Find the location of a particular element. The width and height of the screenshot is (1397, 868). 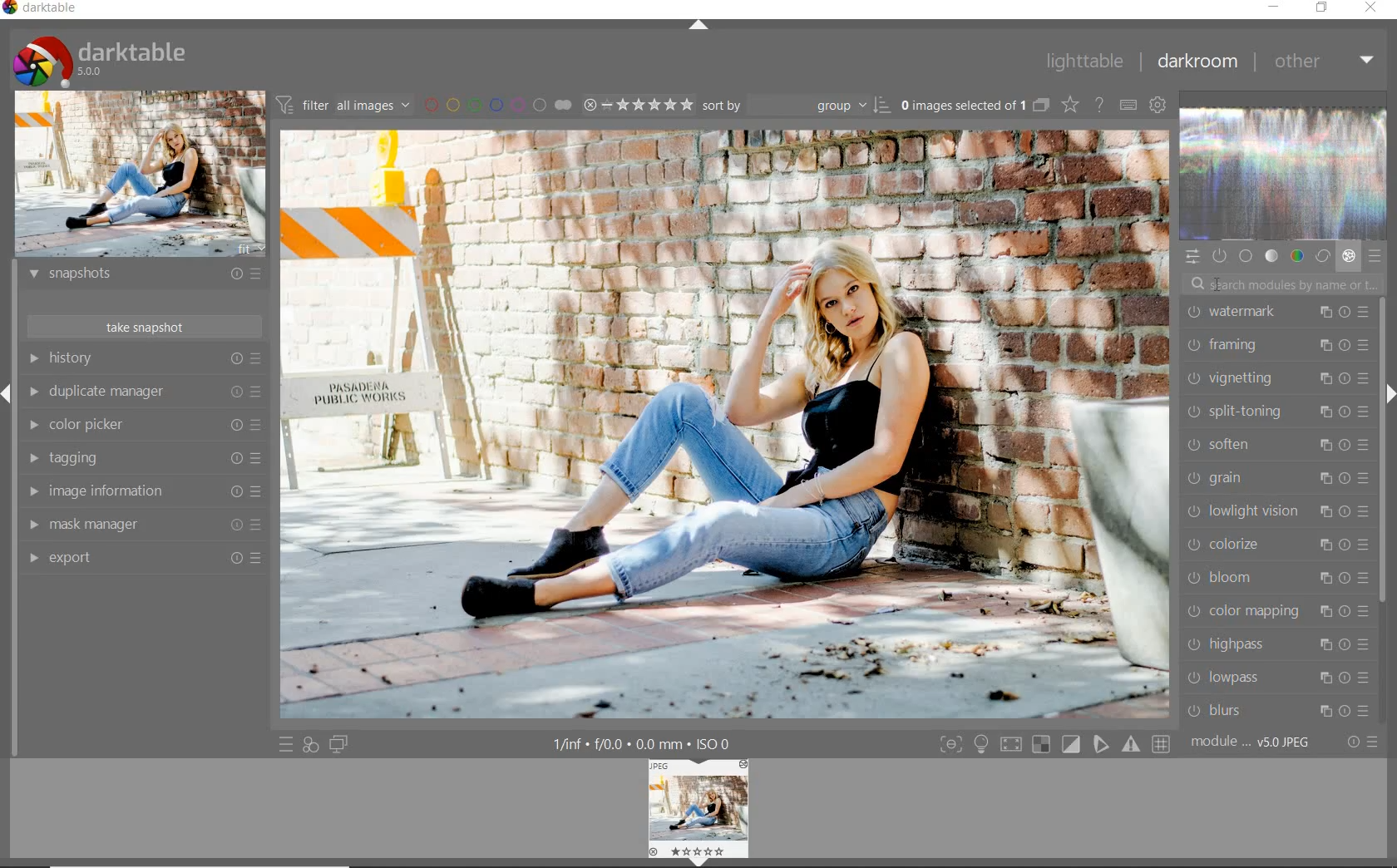

history is located at coordinates (144, 361).